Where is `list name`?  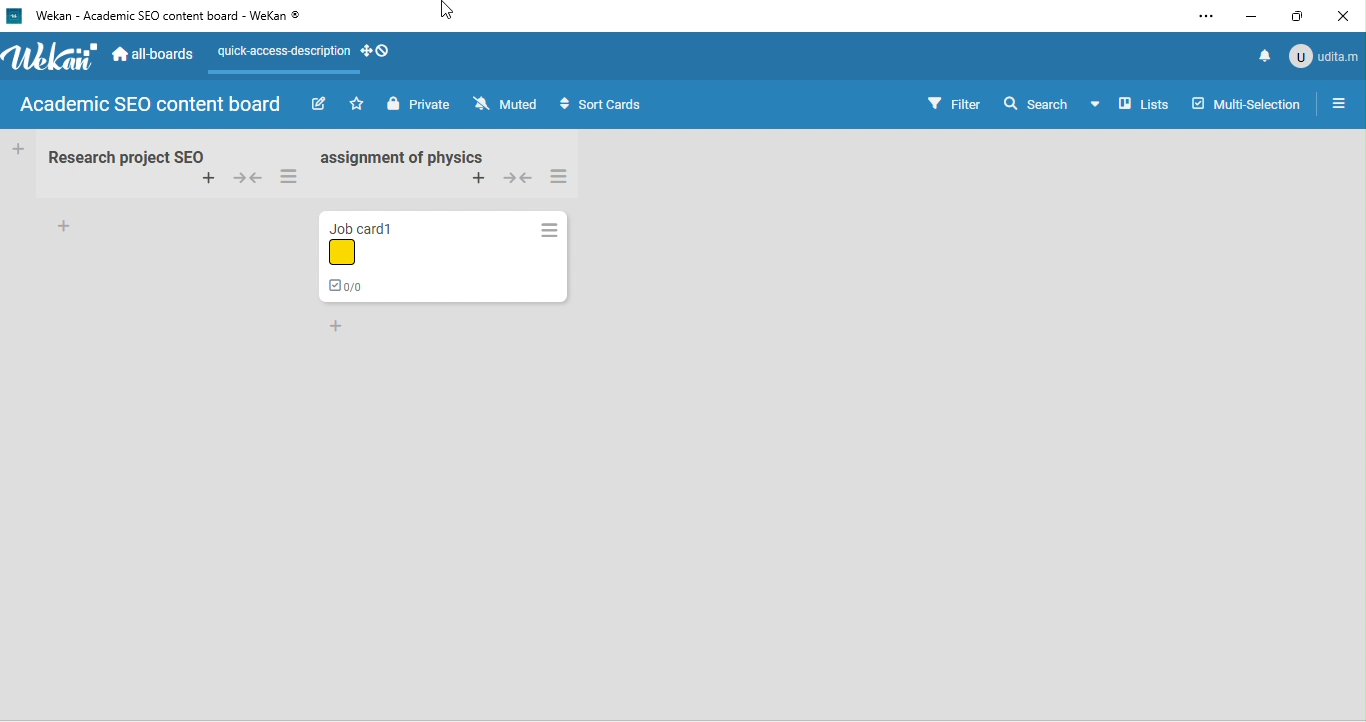
list name is located at coordinates (123, 157).